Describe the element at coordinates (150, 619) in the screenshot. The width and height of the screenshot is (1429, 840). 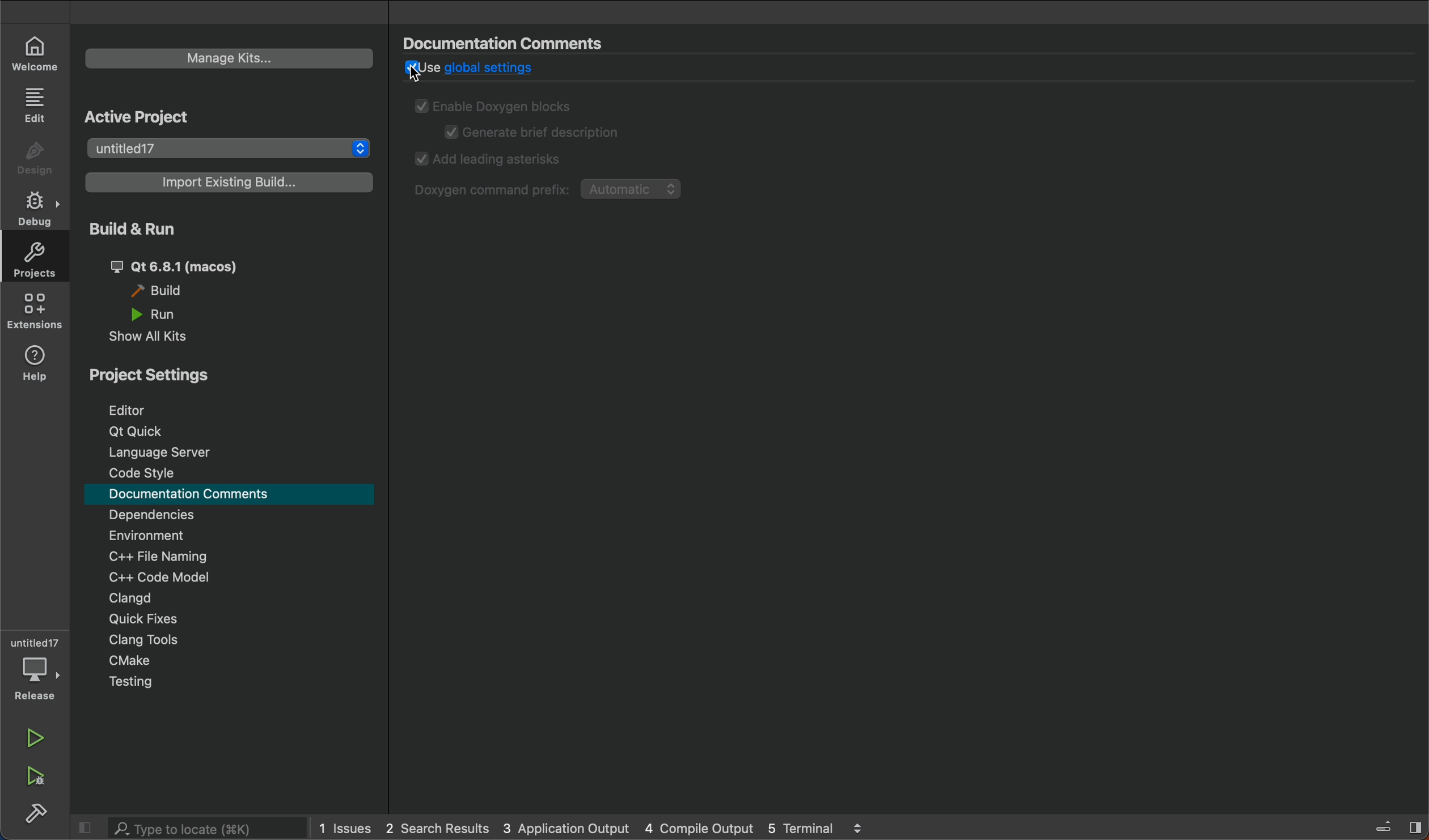
I see `quick fixes` at that location.